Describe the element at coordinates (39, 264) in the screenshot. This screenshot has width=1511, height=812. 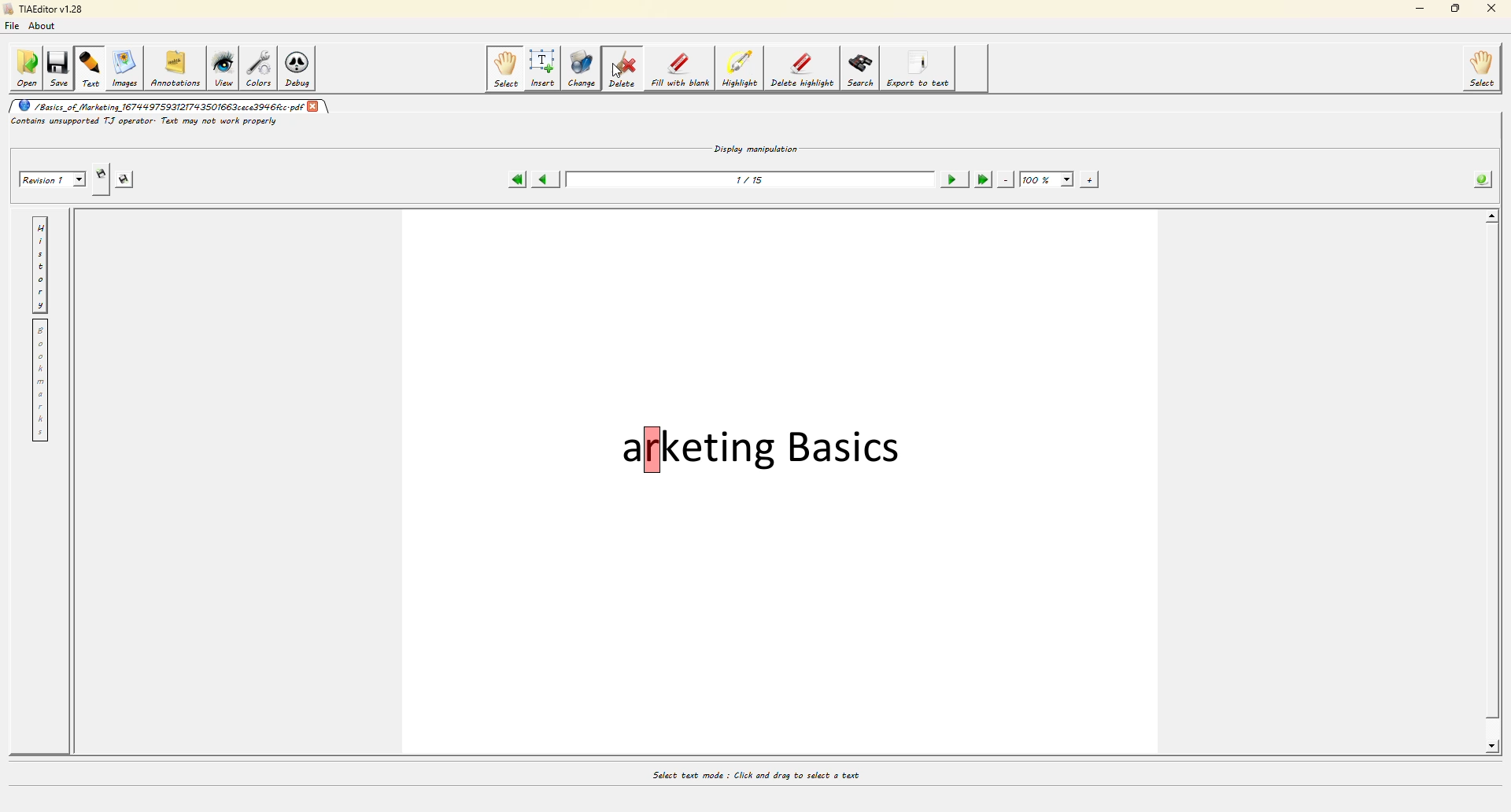
I see `history` at that location.